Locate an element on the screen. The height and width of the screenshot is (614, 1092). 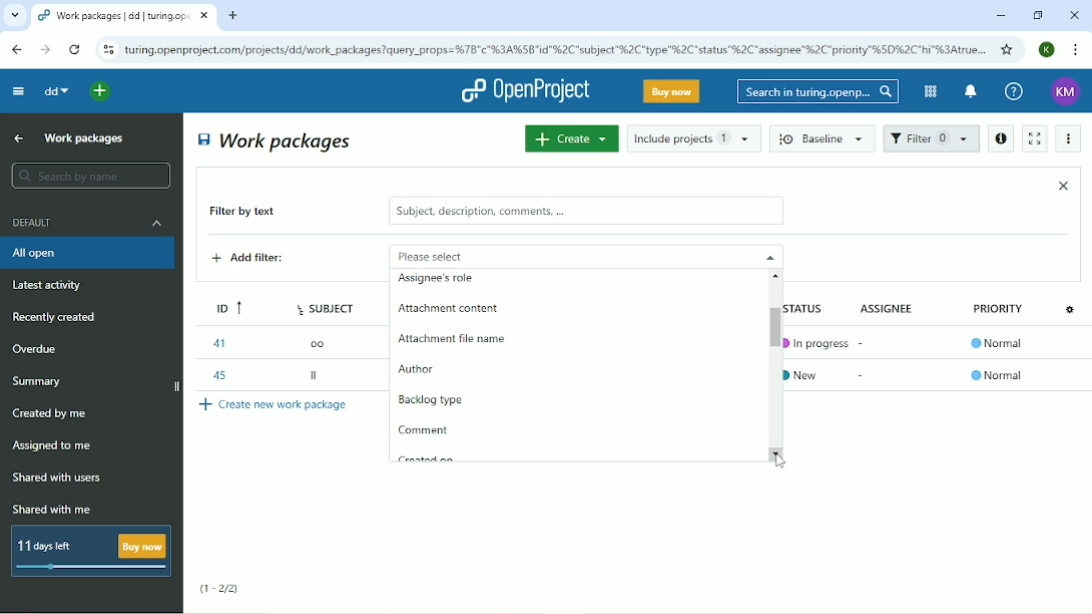
Assignee is located at coordinates (891, 307).